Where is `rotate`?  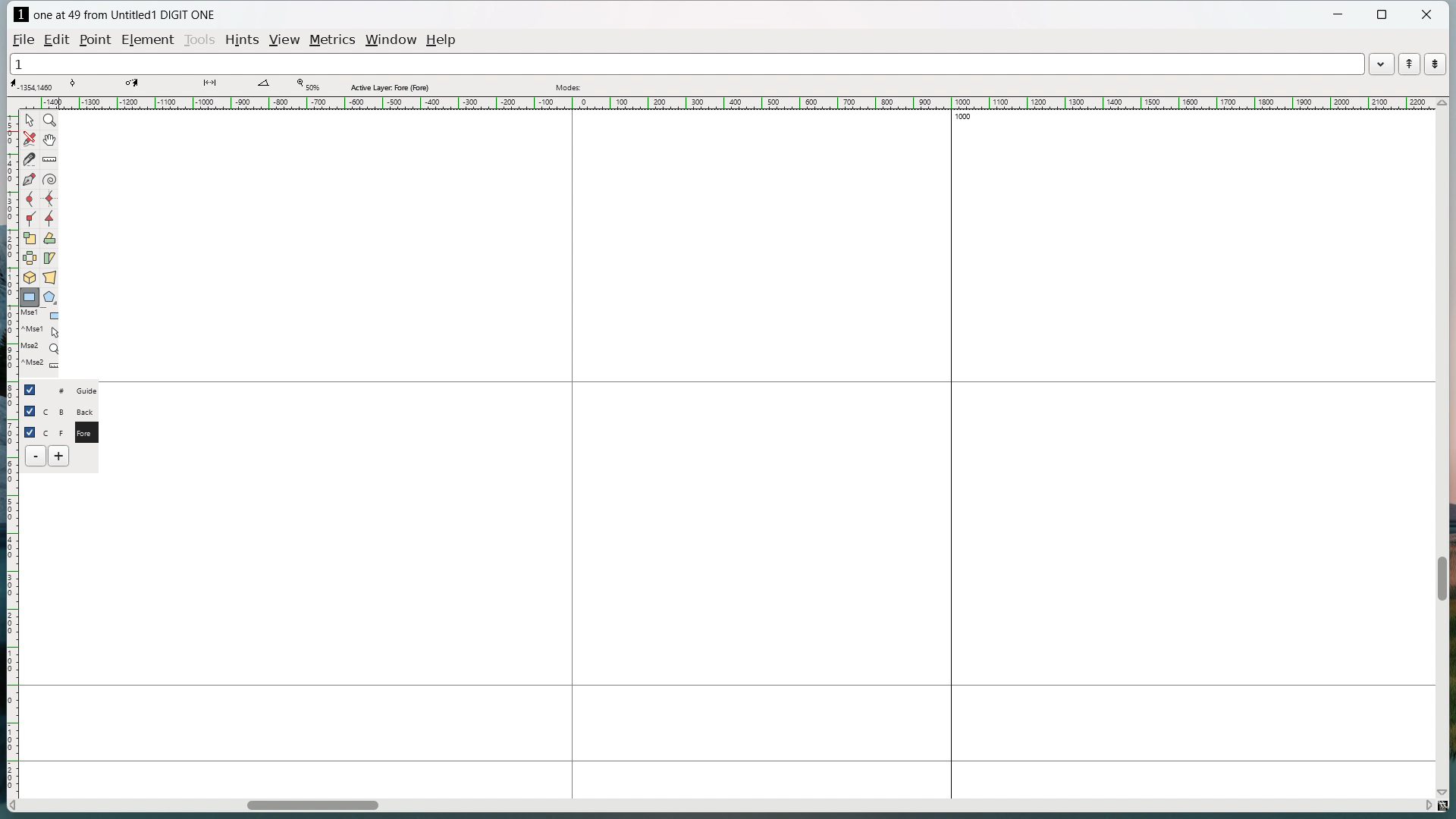
rotate is located at coordinates (49, 238).